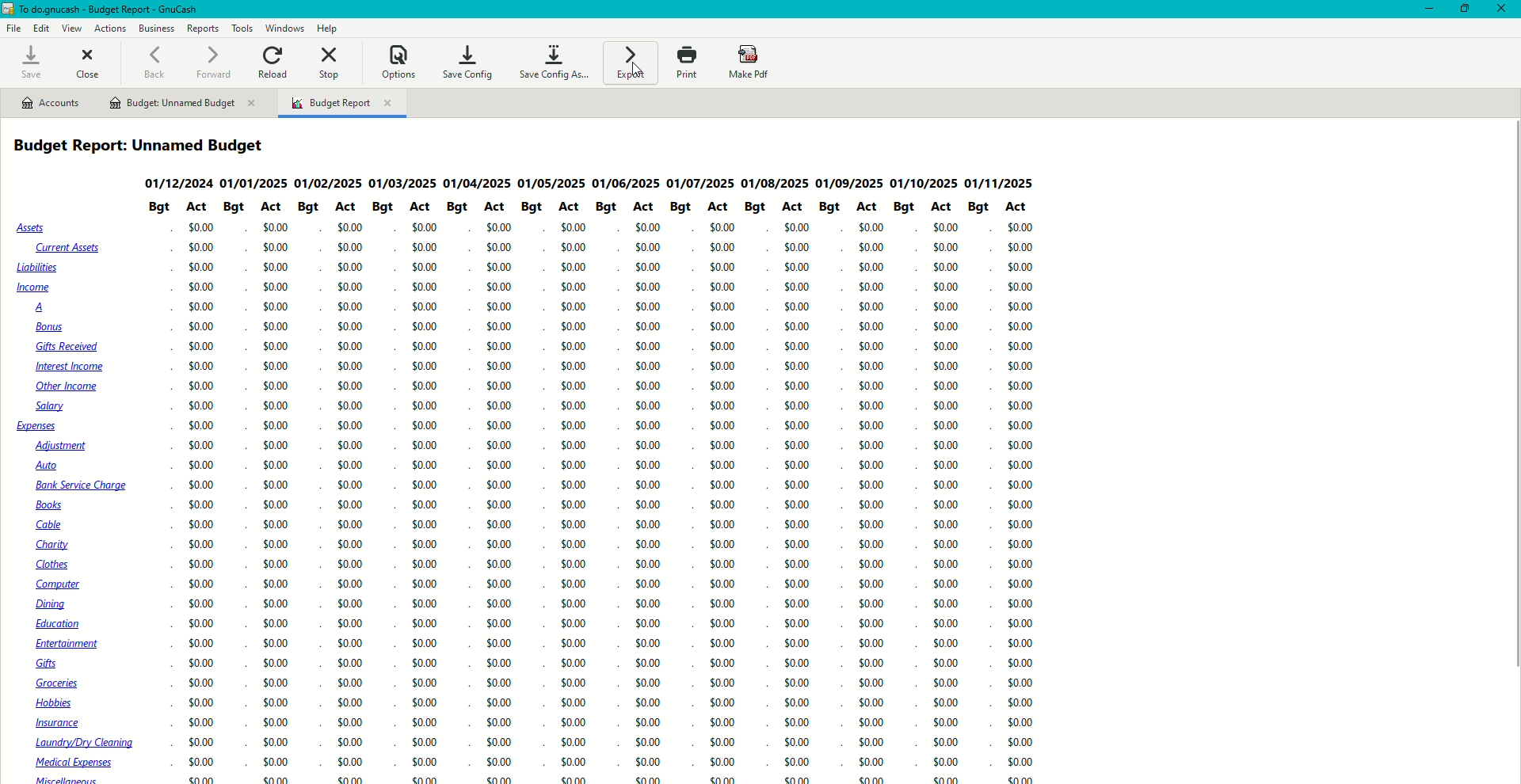  Describe the element at coordinates (701, 183) in the screenshot. I see `01/07/2025` at that location.